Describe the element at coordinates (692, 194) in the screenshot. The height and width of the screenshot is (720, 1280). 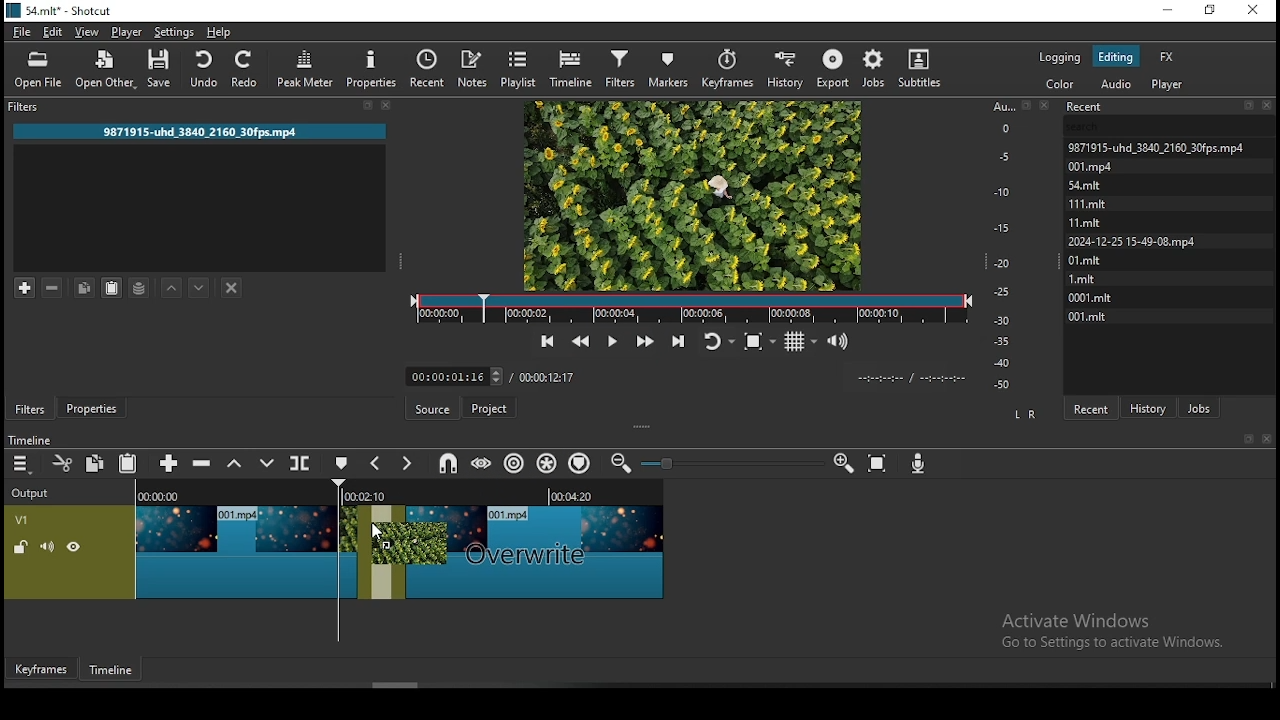
I see `preview` at that location.